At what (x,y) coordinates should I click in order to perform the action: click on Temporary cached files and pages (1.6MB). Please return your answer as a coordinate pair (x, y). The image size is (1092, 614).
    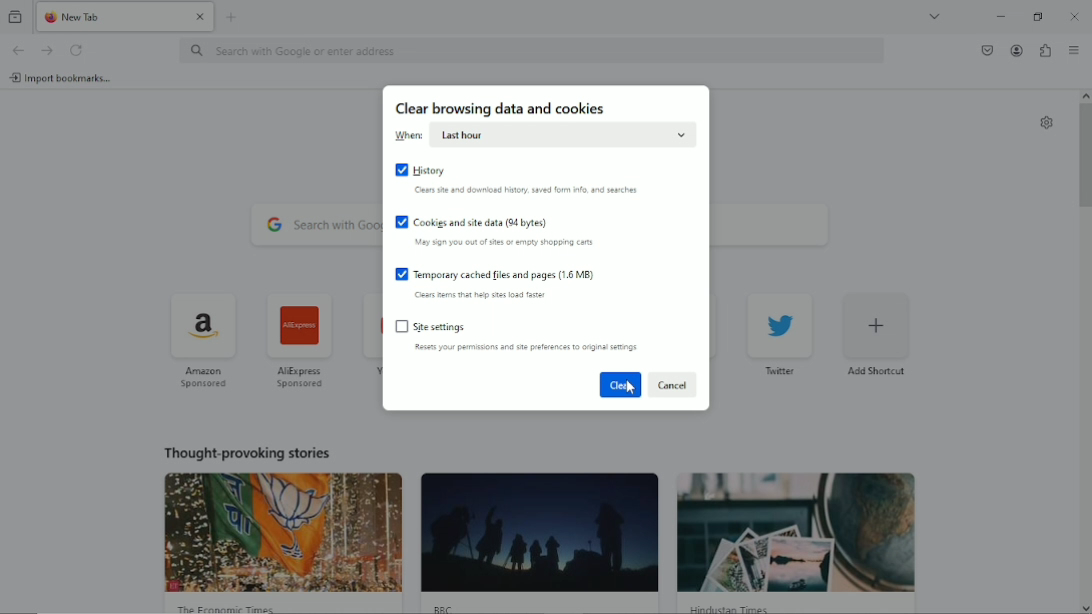
    Looking at the image, I should click on (497, 274).